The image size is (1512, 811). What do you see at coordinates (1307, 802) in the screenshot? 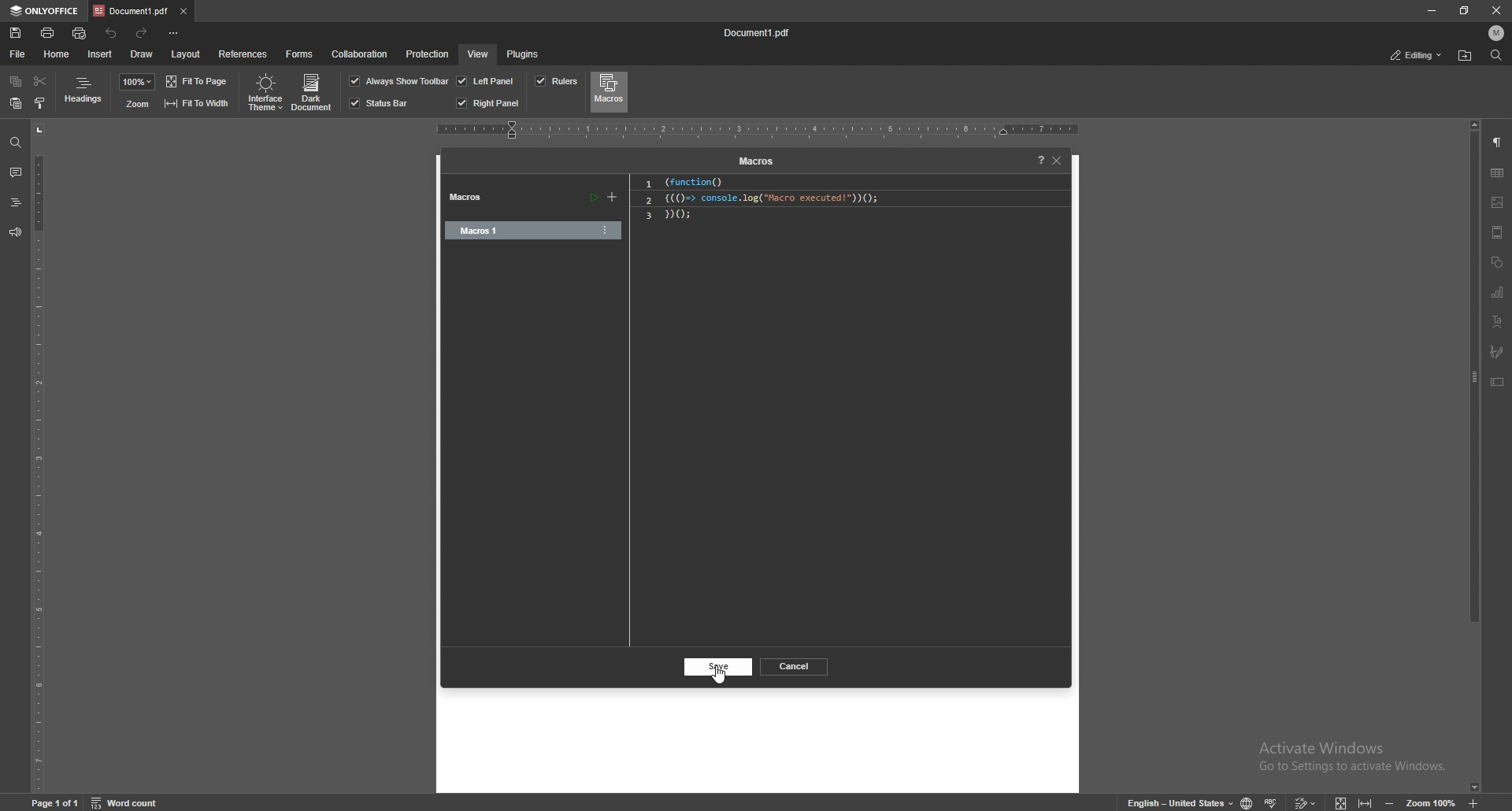
I see `track changes` at bounding box center [1307, 802].